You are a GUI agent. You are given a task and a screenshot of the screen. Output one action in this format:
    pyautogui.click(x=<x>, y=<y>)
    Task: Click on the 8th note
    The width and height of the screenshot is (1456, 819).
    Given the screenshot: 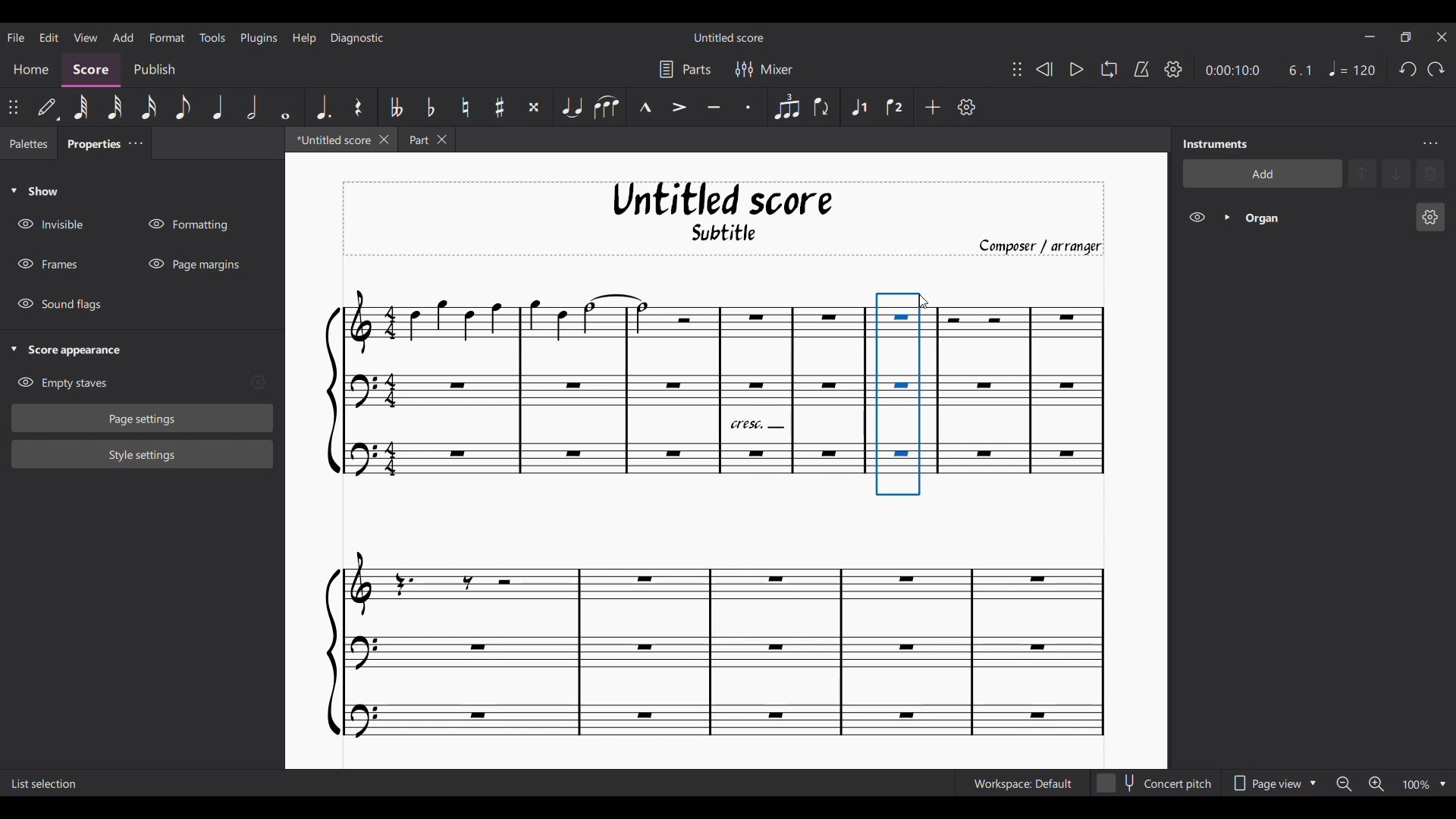 What is the action you would take?
    pyautogui.click(x=183, y=108)
    